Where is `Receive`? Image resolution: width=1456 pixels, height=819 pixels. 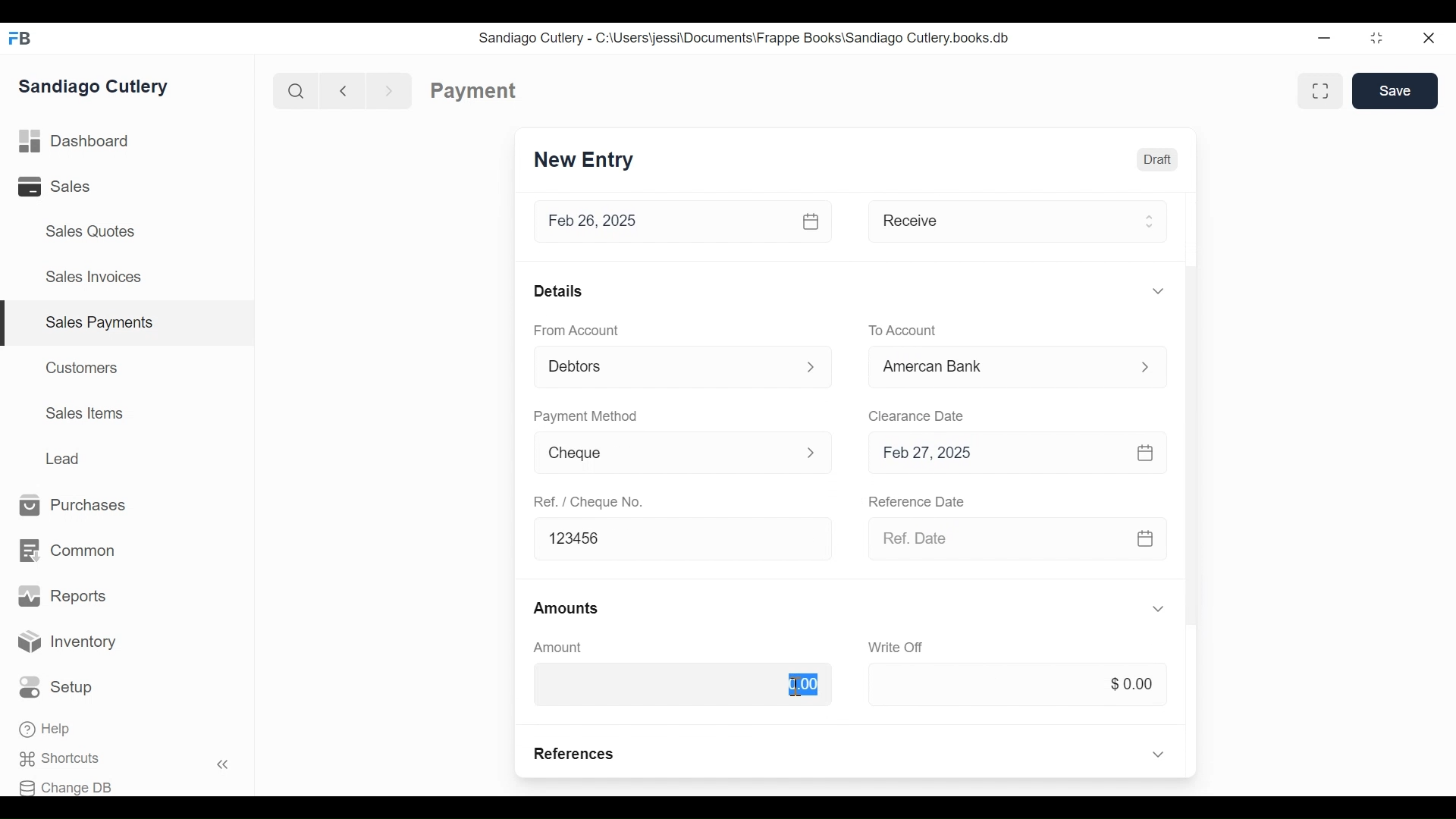 Receive is located at coordinates (995, 220).